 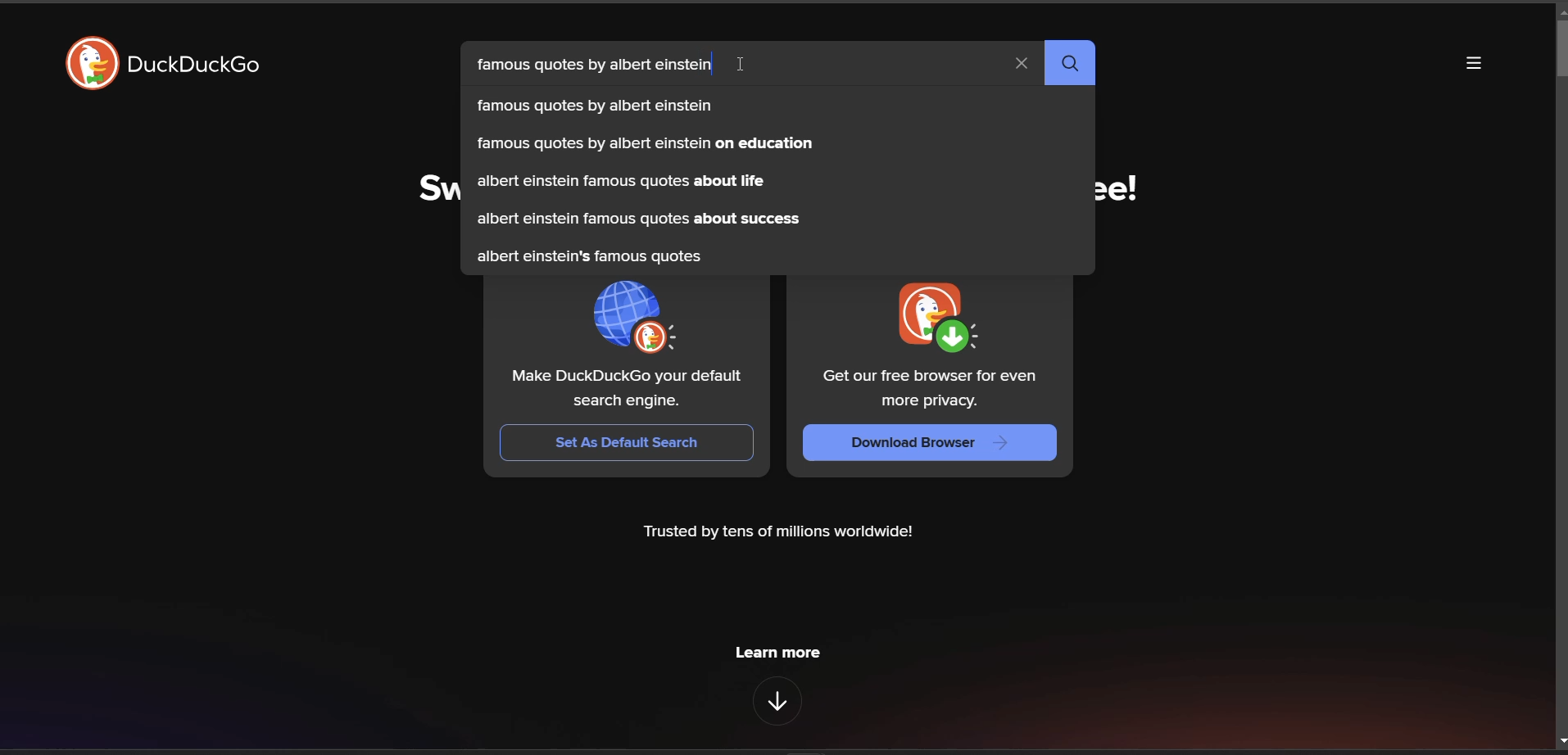 I want to click on Download Browser, so click(x=930, y=441).